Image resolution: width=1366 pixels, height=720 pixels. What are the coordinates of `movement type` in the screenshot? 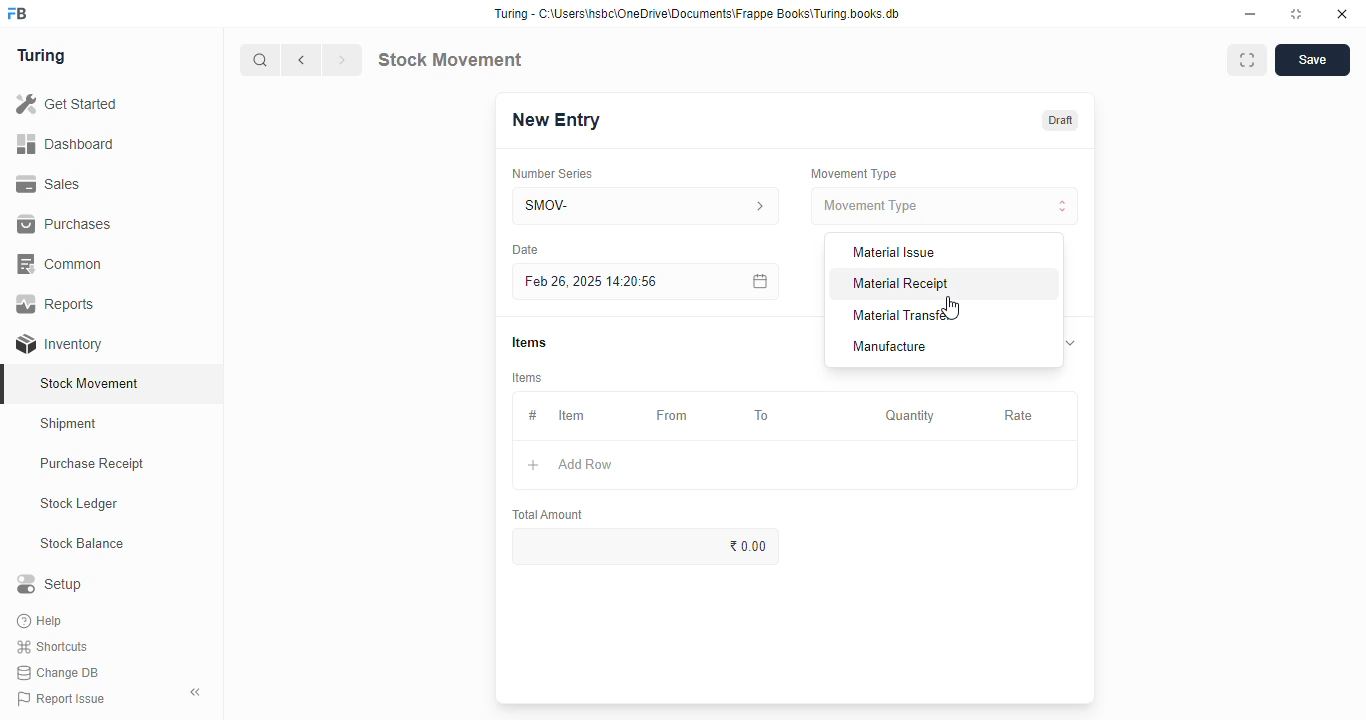 It's located at (944, 206).